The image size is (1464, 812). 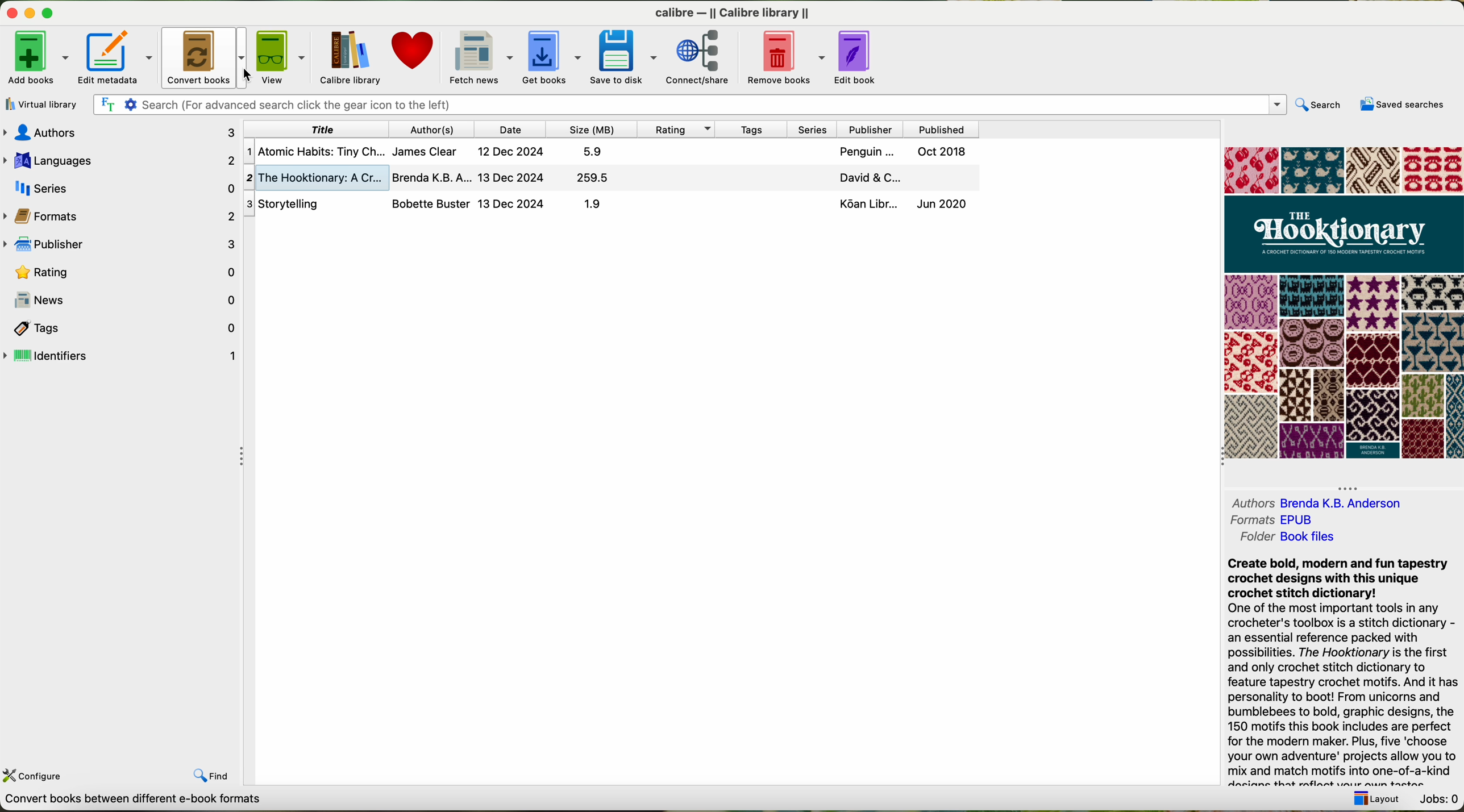 I want to click on Options, so click(x=244, y=455).